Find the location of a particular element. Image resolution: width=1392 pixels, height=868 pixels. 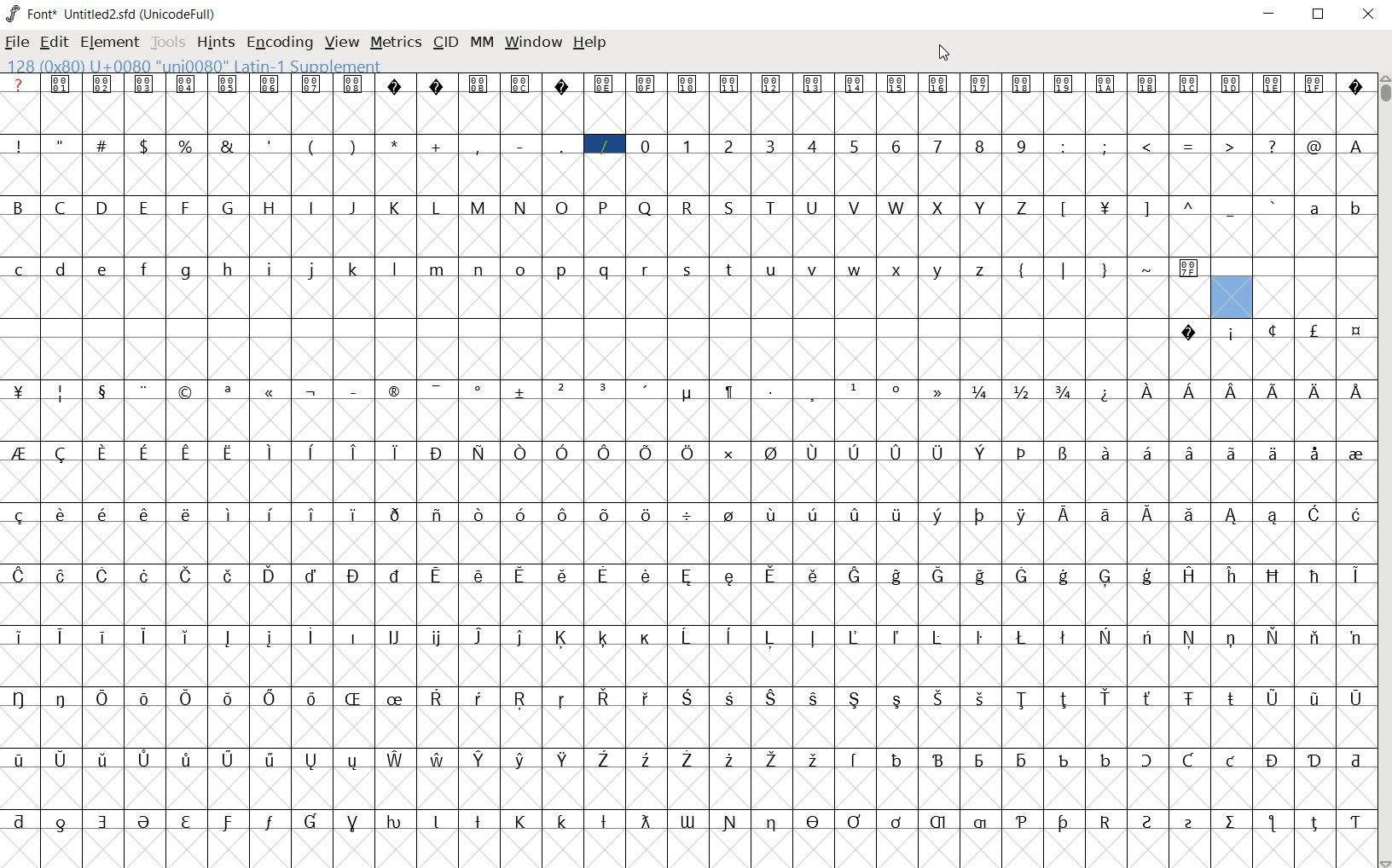

glyph is located at coordinates (395, 144).